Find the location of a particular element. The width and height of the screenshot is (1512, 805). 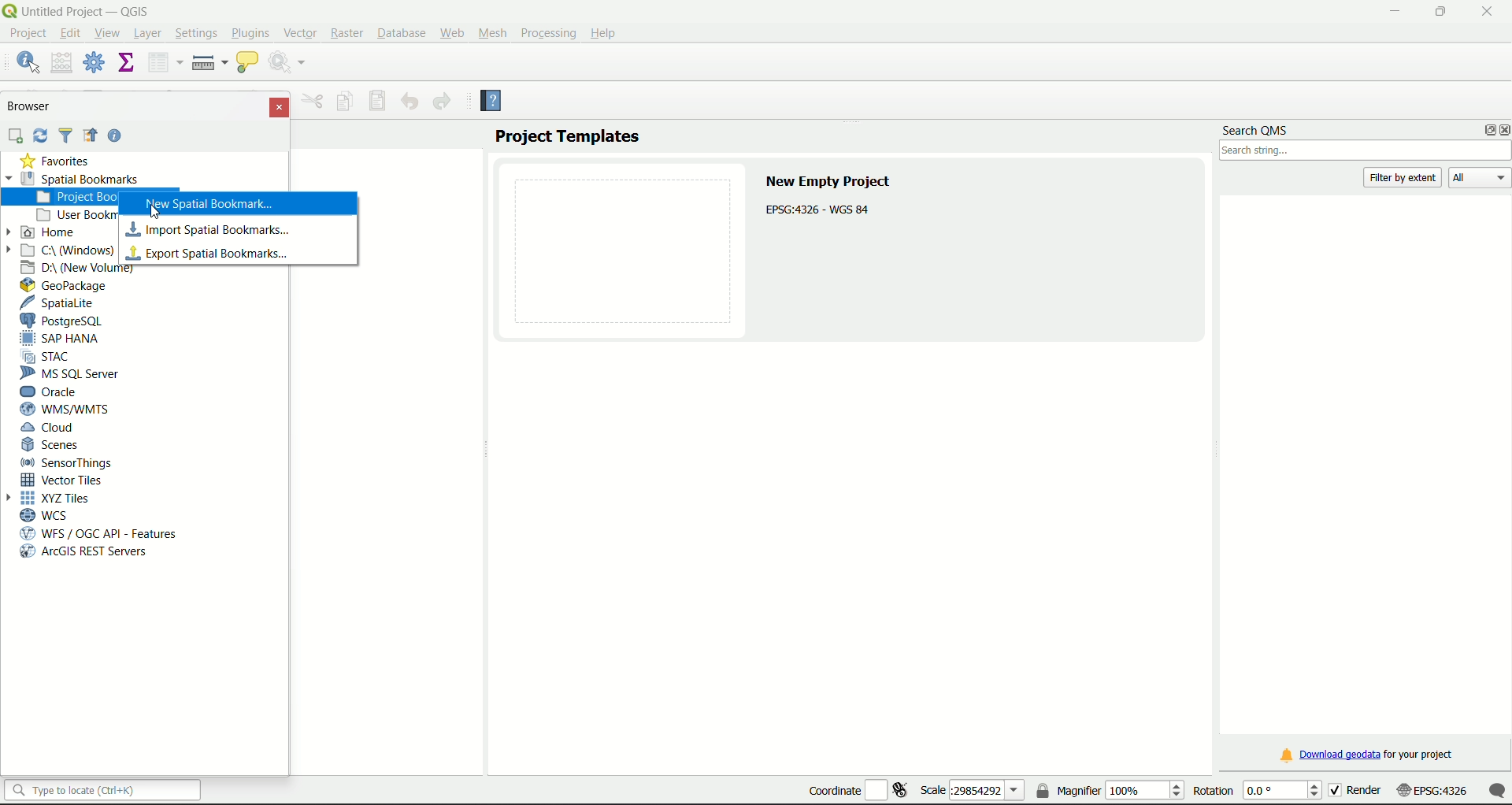

show statistical summary is located at coordinates (124, 63).